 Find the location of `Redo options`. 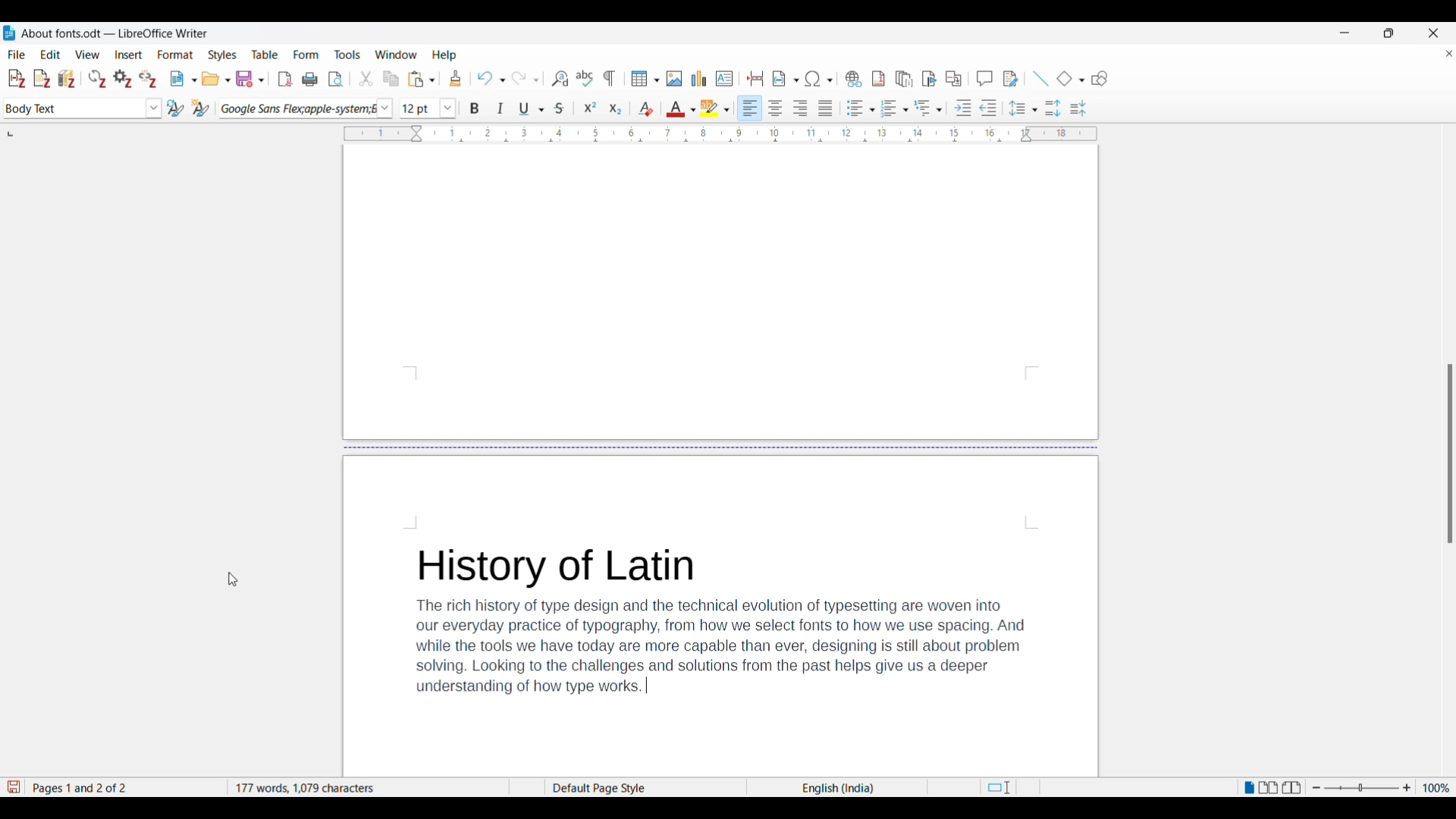

Redo options is located at coordinates (525, 79).